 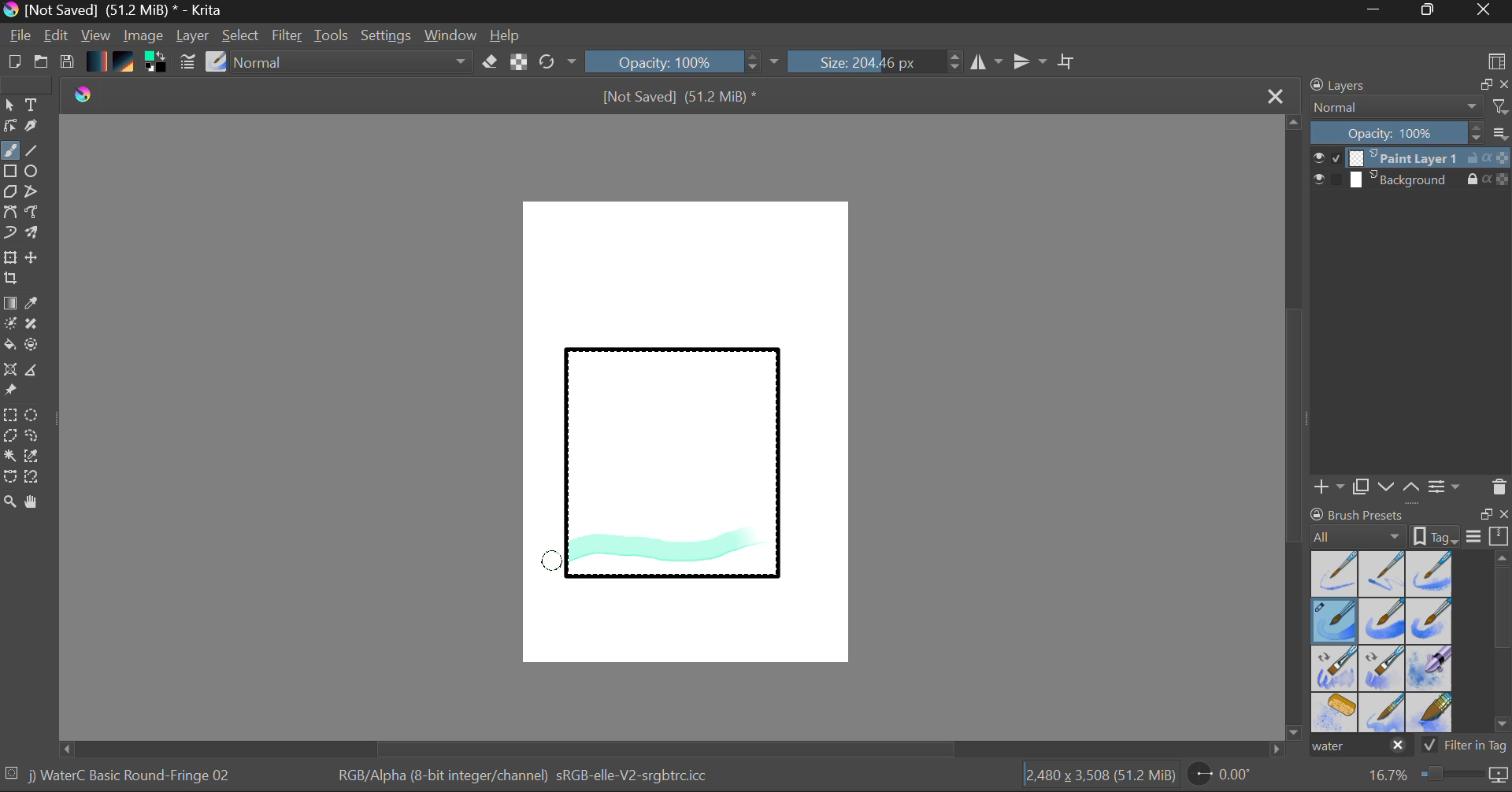 I want to click on Move Layer Up, so click(x=1412, y=486).